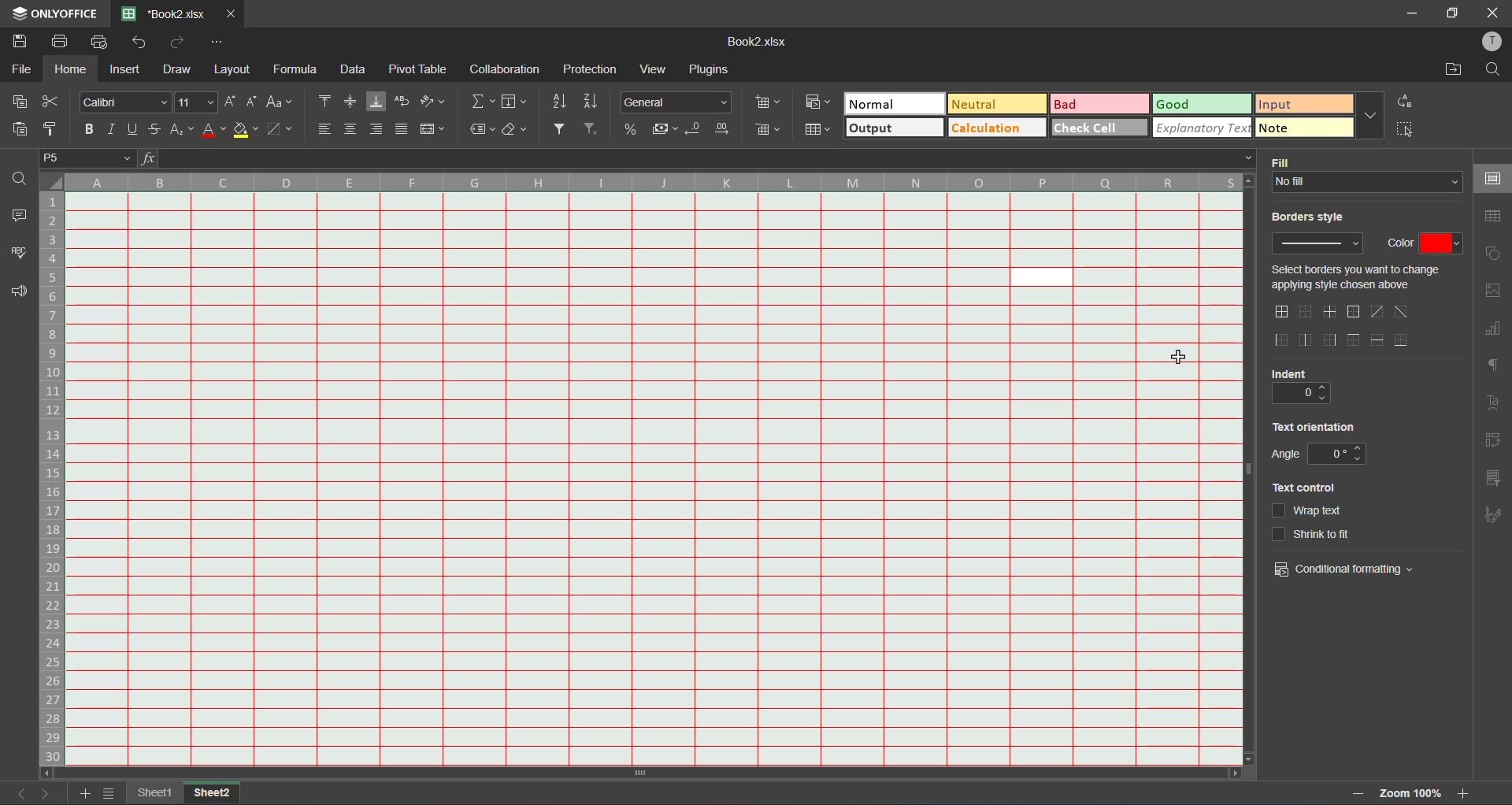  I want to click on wrap text, so click(406, 102).